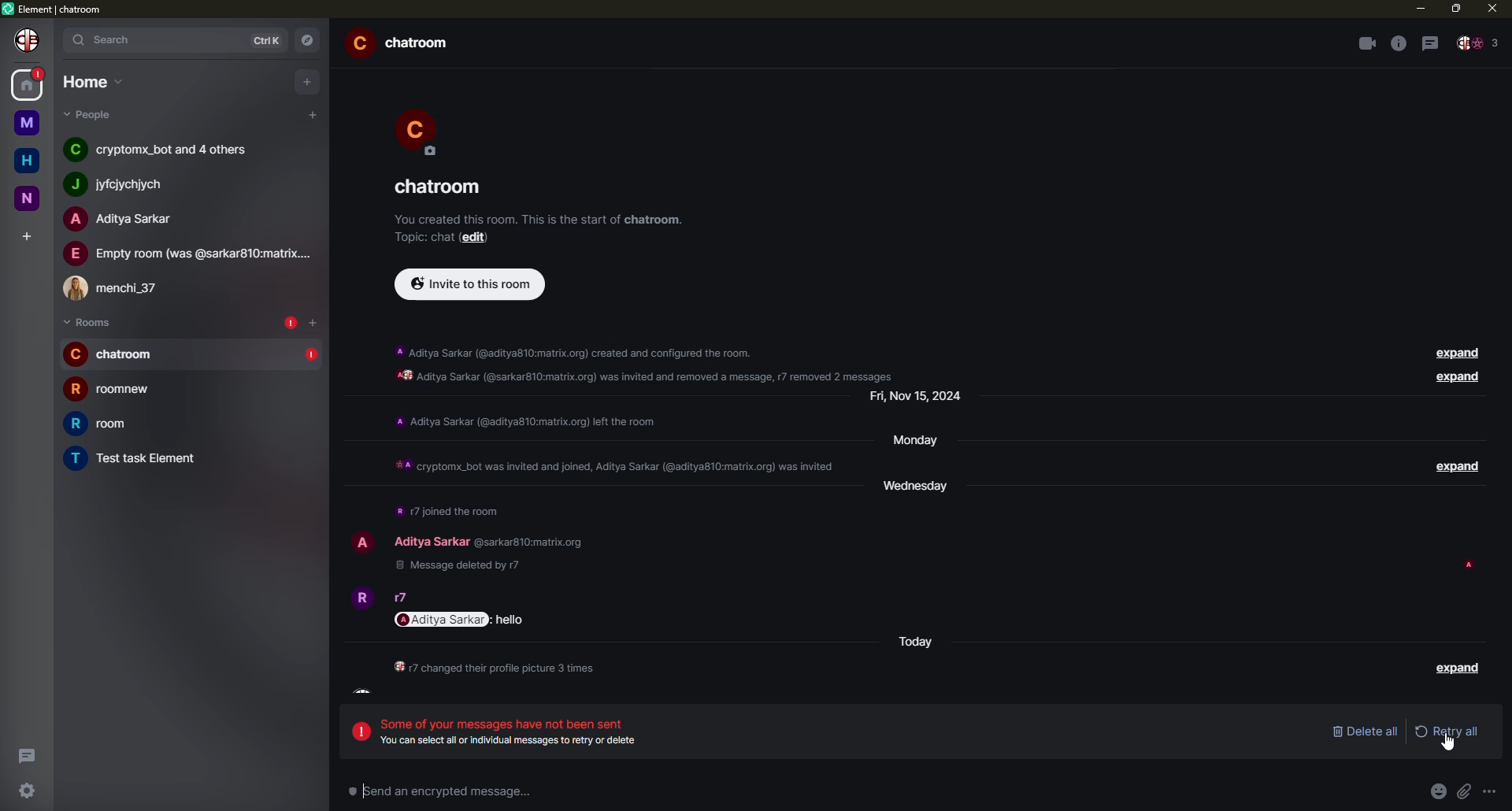  I want to click on info, so click(539, 219).